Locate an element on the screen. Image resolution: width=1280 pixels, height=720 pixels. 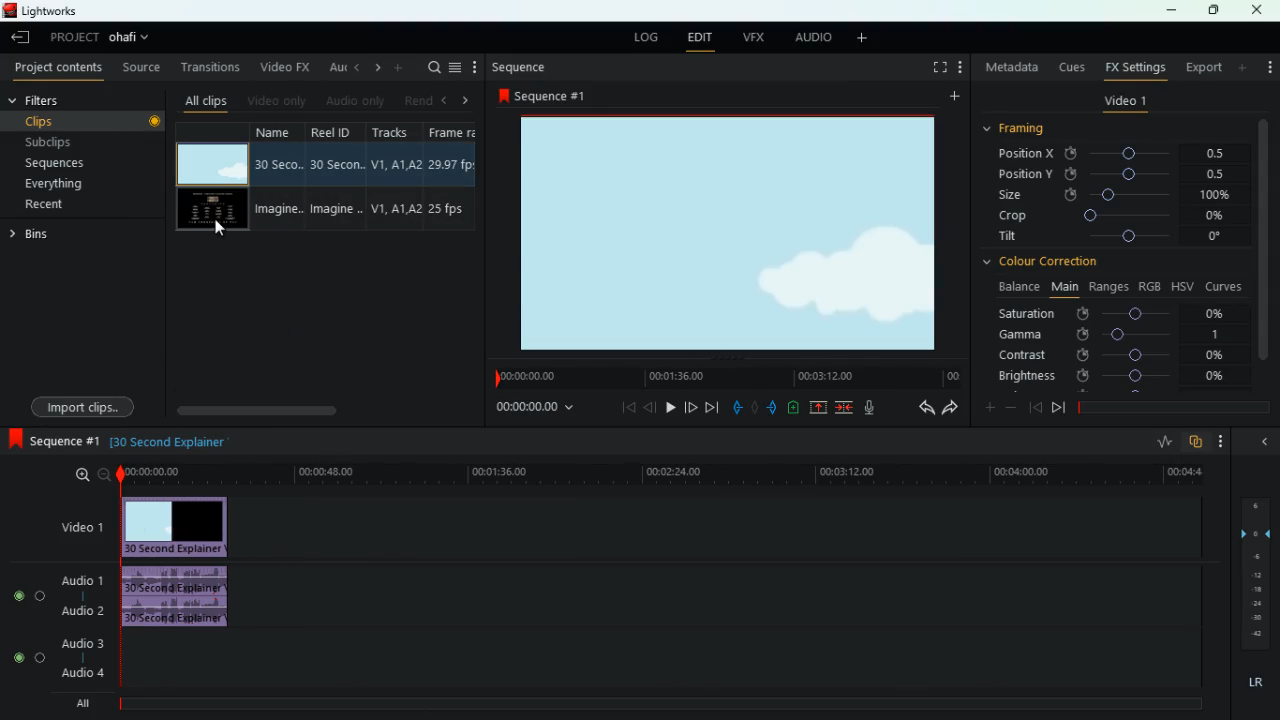
beggining is located at coordinates (622, 407).